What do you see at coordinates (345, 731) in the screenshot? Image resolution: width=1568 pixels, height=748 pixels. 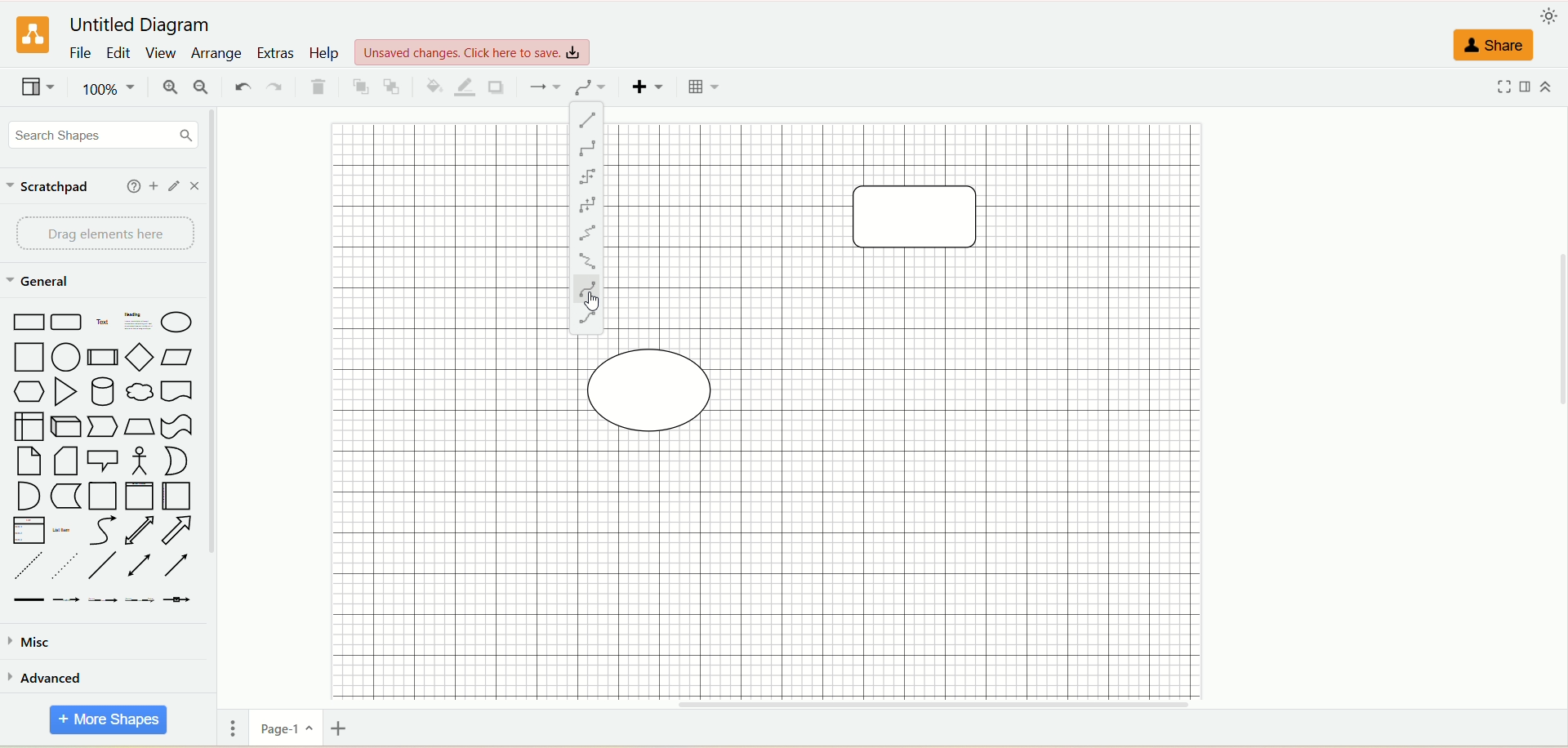 I see `insert page` at bounding box center [345, 731].